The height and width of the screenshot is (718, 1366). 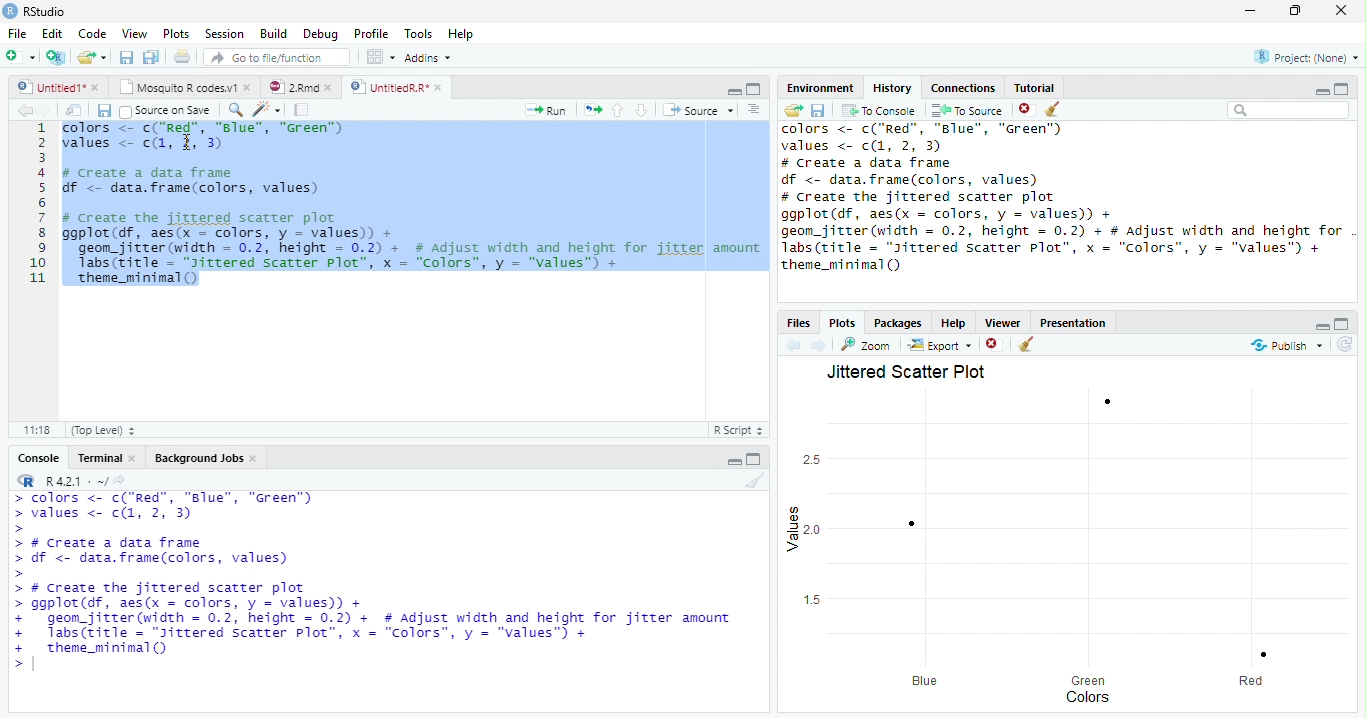 What do you see at coordinates (18, 34) in the screenshot?
I see `File` at bounding box center [18, 34].